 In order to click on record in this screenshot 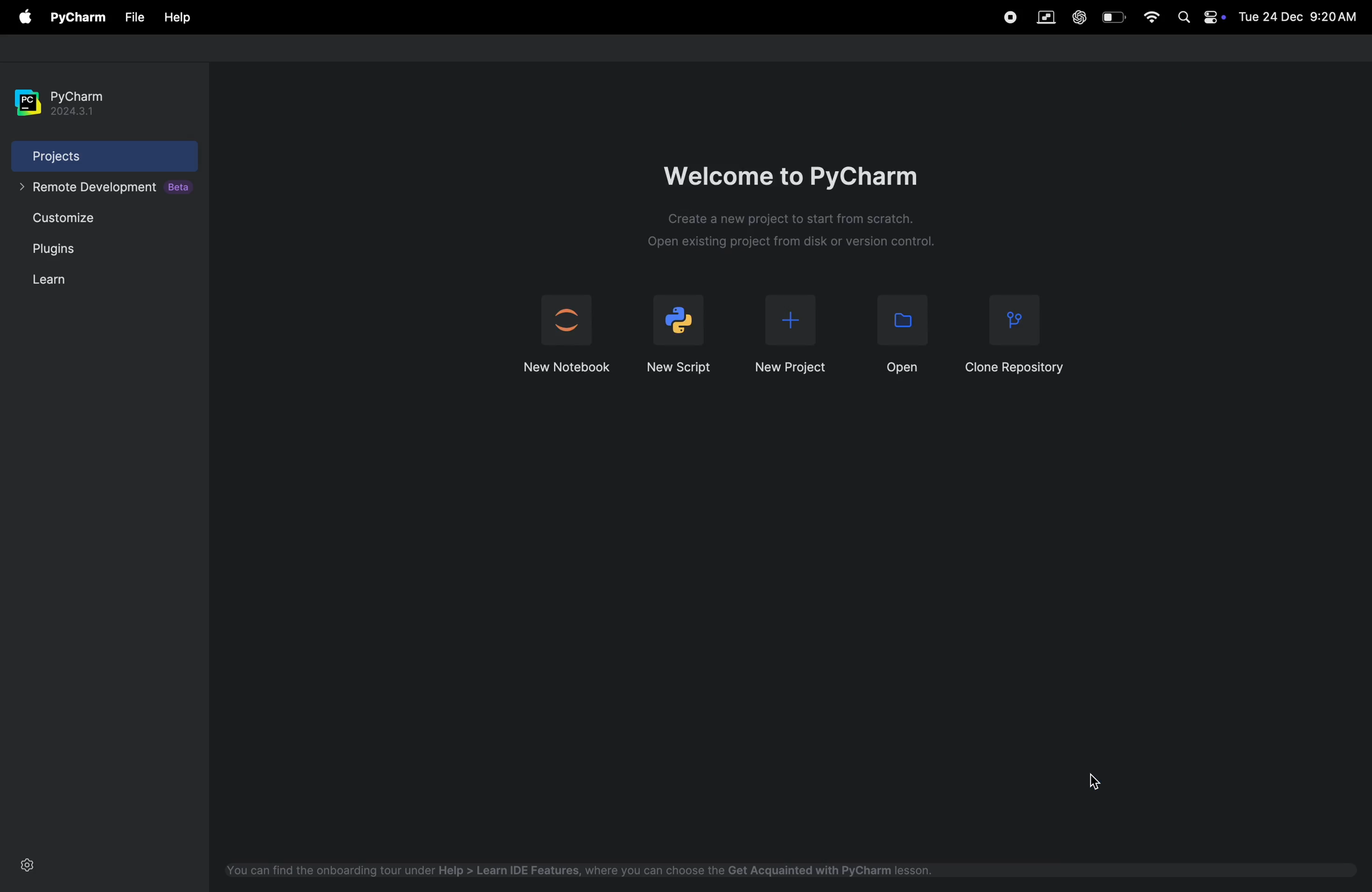, I will do `click(1004, 16)`.